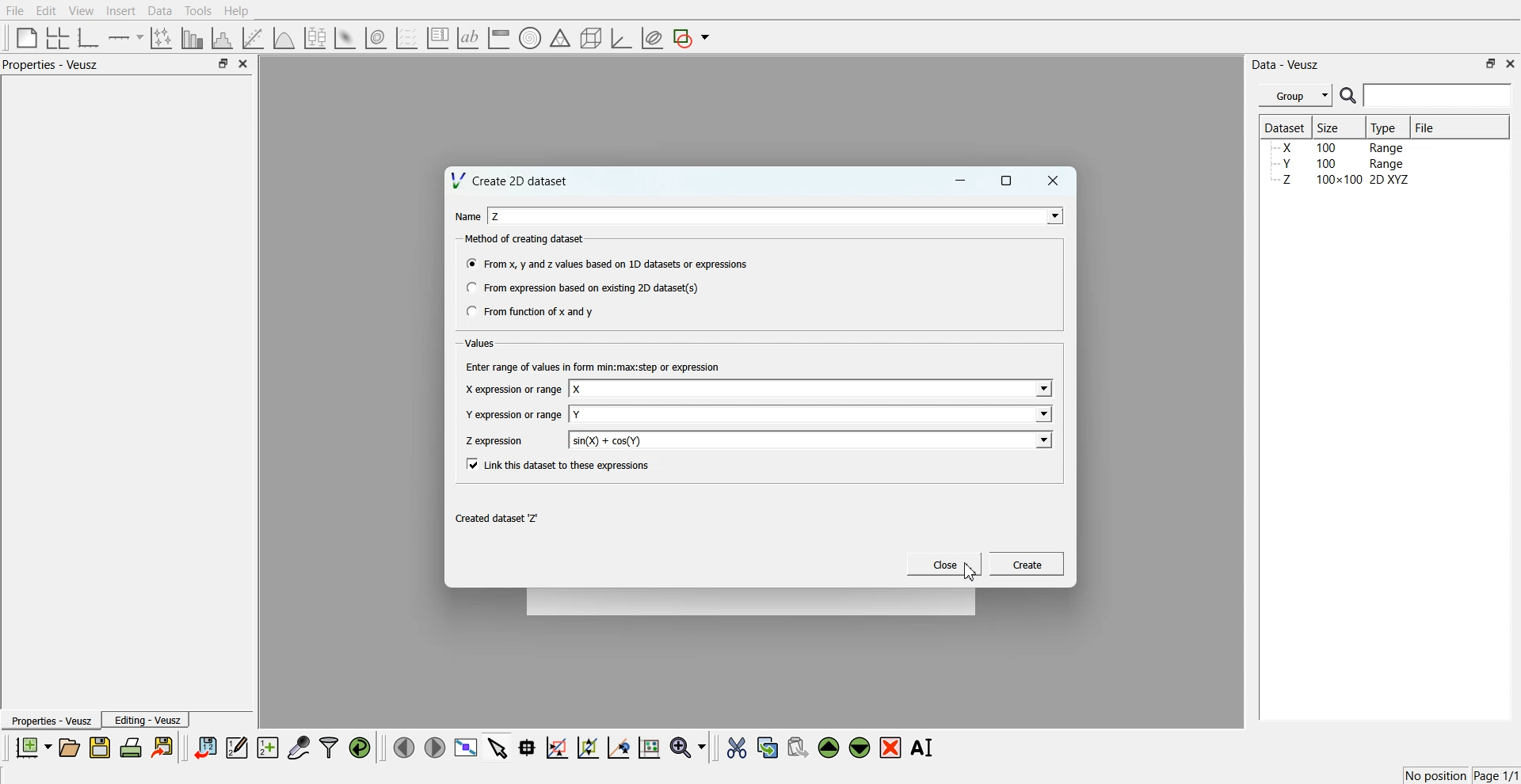 The image size is (1521, 784). Describe the element at coordinates (27, 37) in the screenshot. I see `Blank page` at that location.